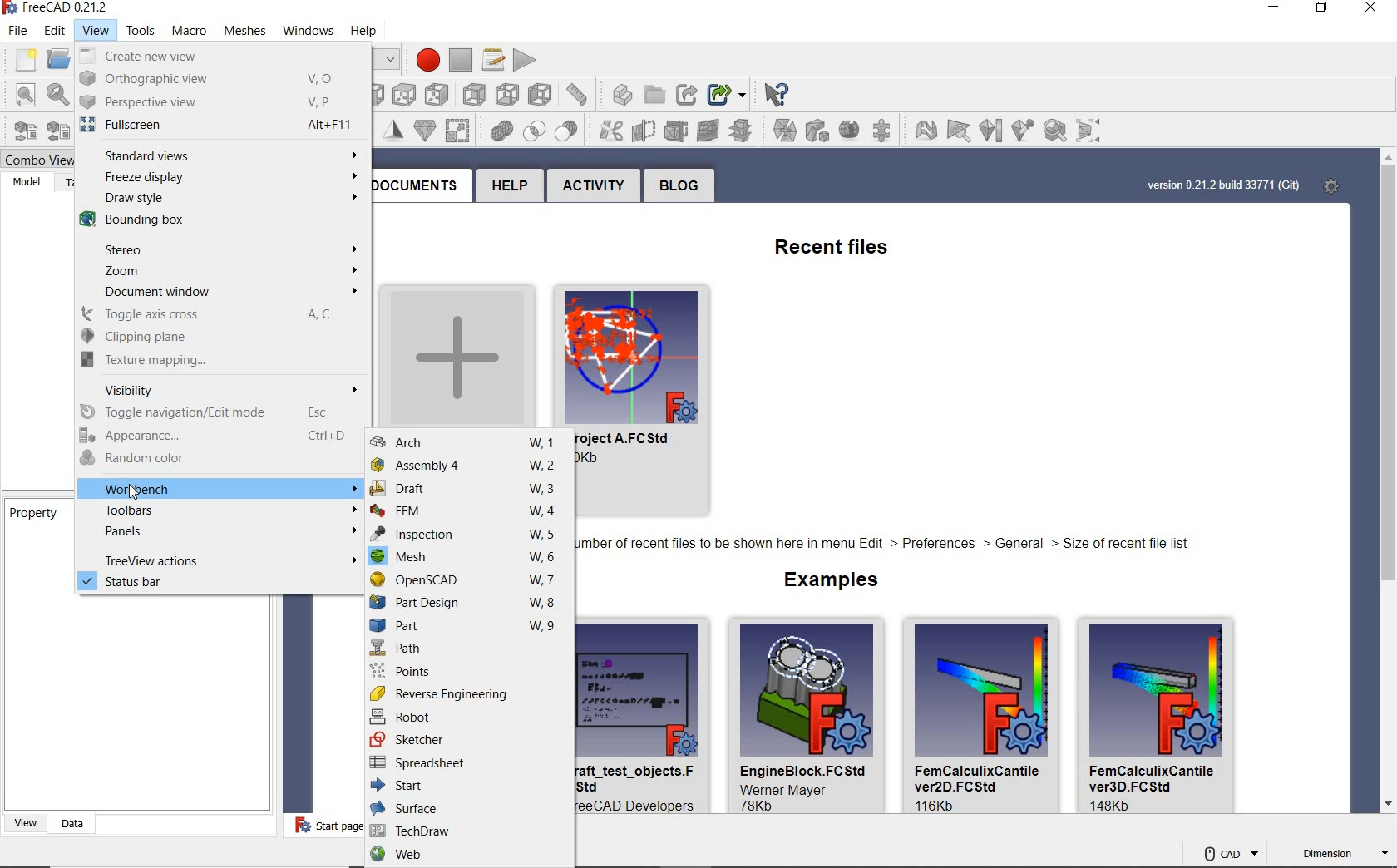 The width and height of the screenshot is (1397, 868). I want to click on make sub-link, so click(690, 90).